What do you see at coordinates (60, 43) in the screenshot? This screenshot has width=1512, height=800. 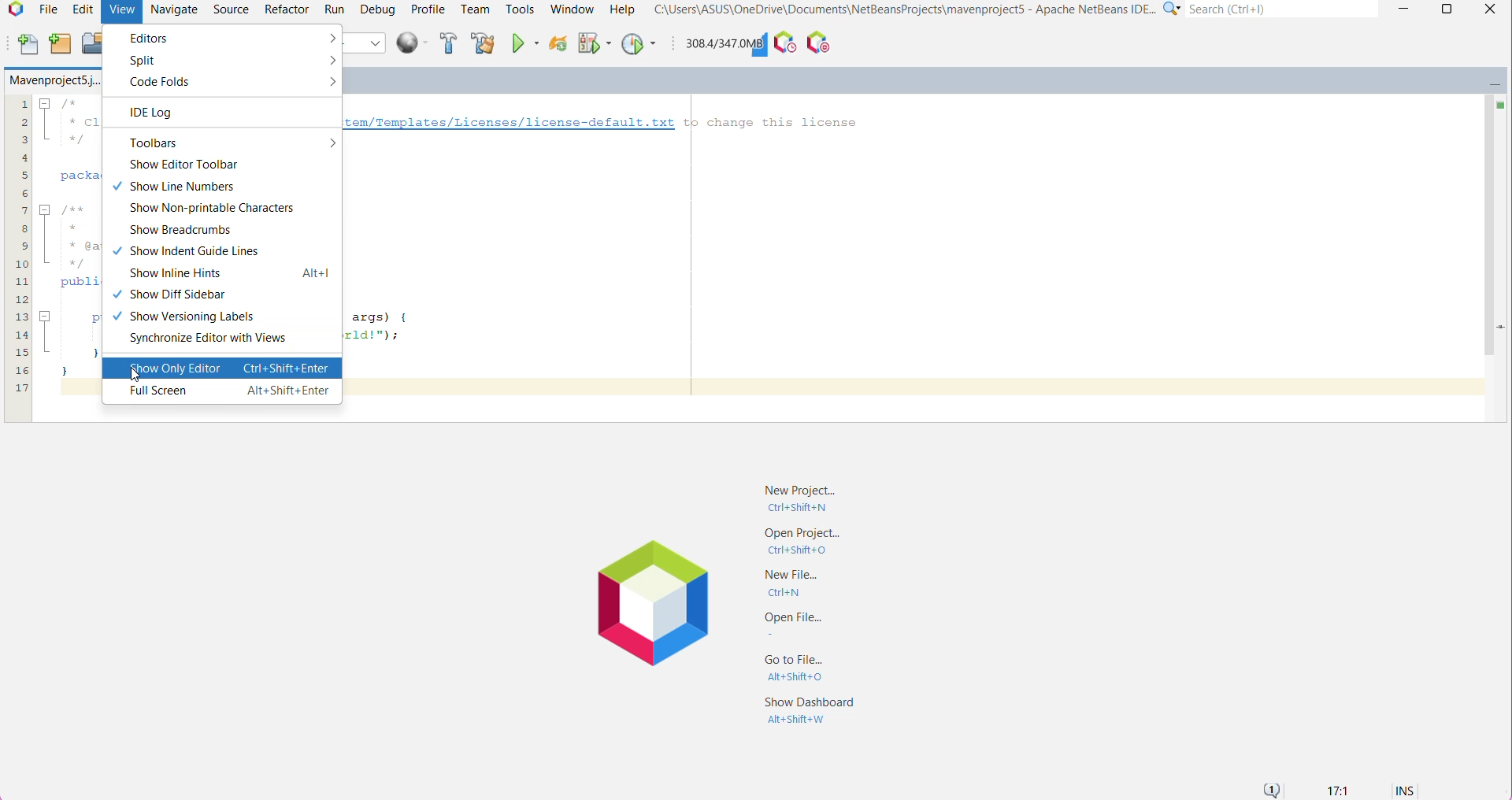 I see `New Project` at bounding box center [60, 43].